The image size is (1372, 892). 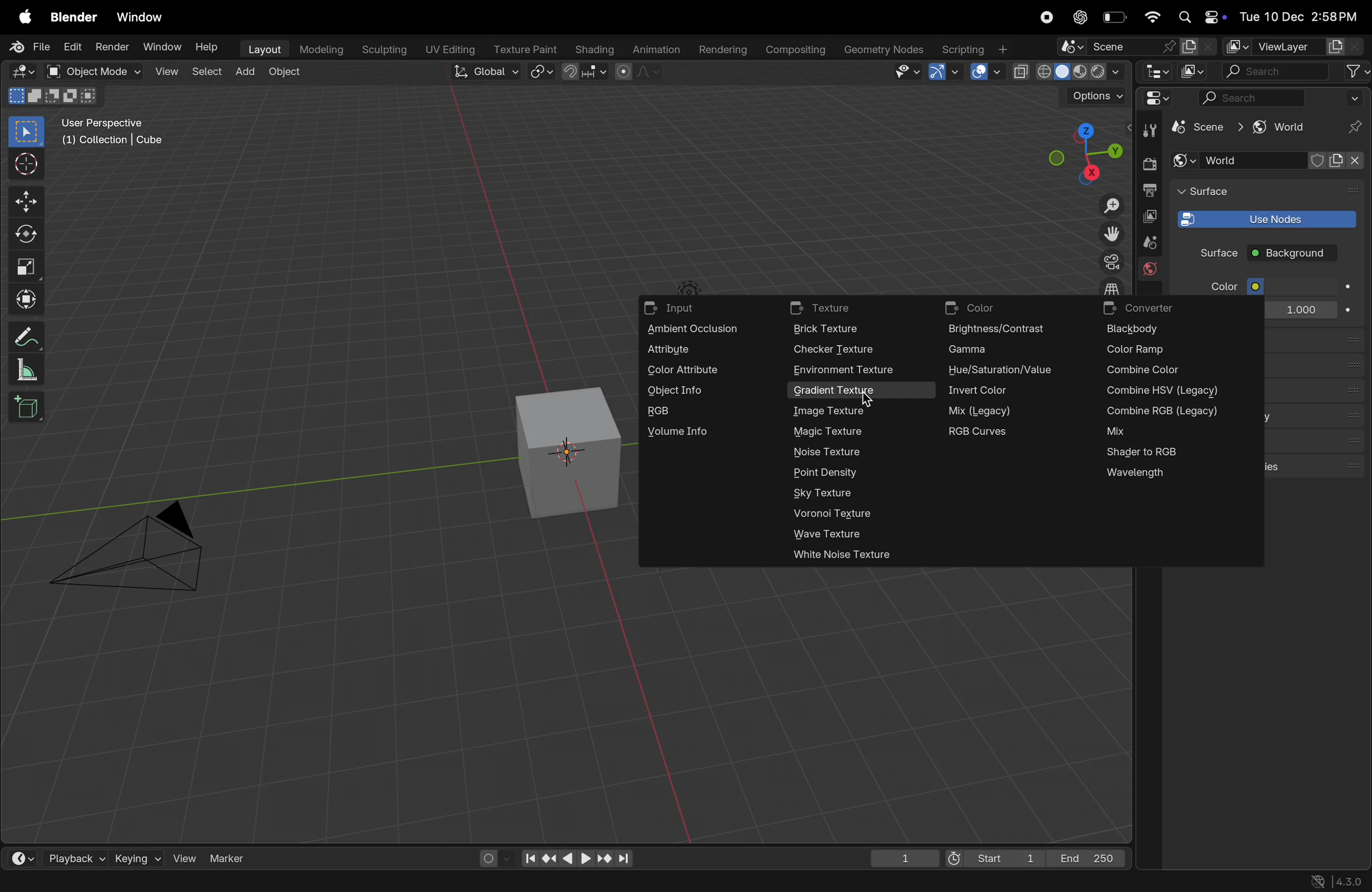 What do you see at coordinates (1220, 287) in the screenshot?
I see `Color` at bounding box center [1220, 287].